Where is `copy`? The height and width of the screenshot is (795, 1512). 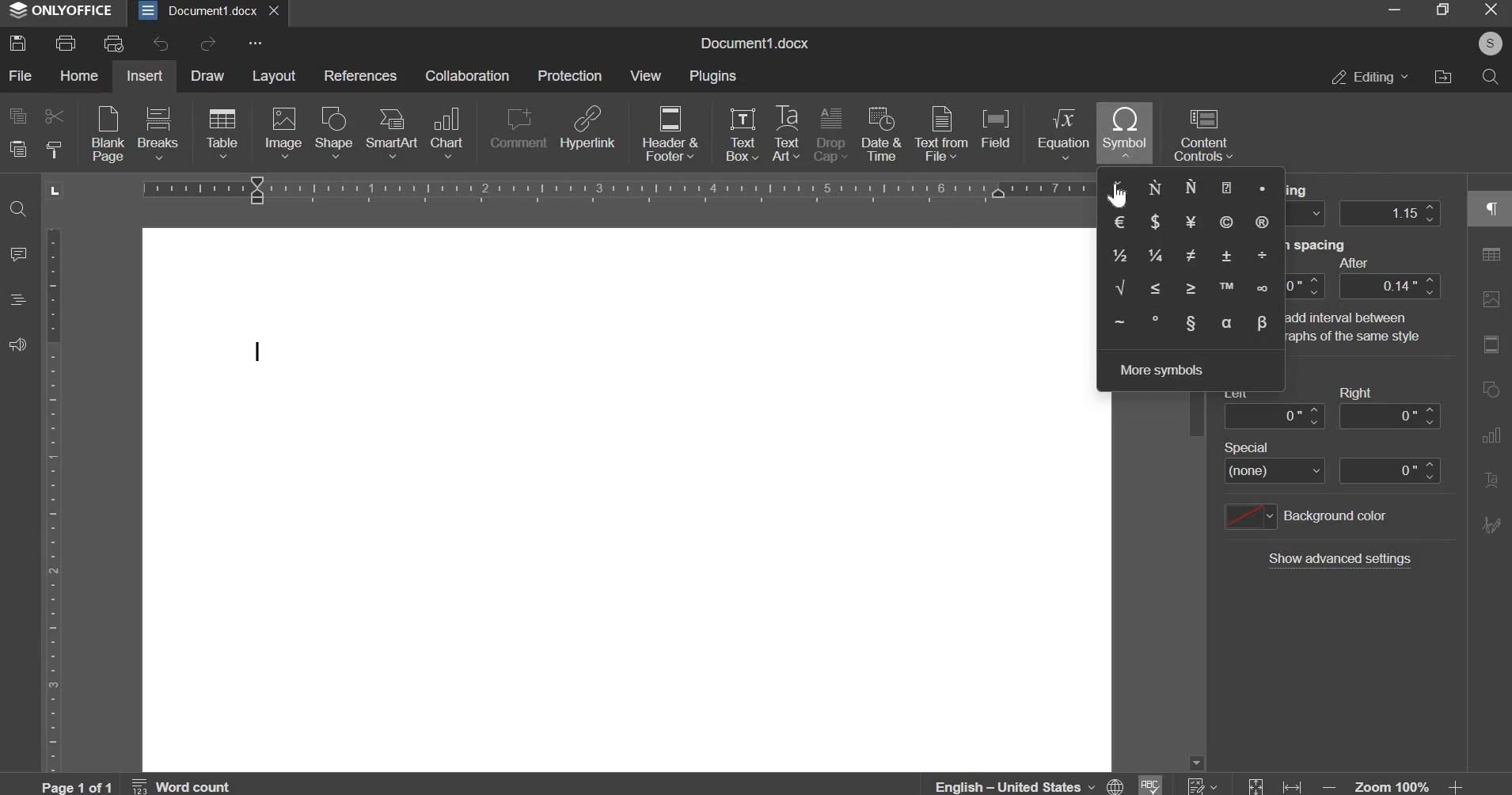 copy is located at coordinates (17, 115).